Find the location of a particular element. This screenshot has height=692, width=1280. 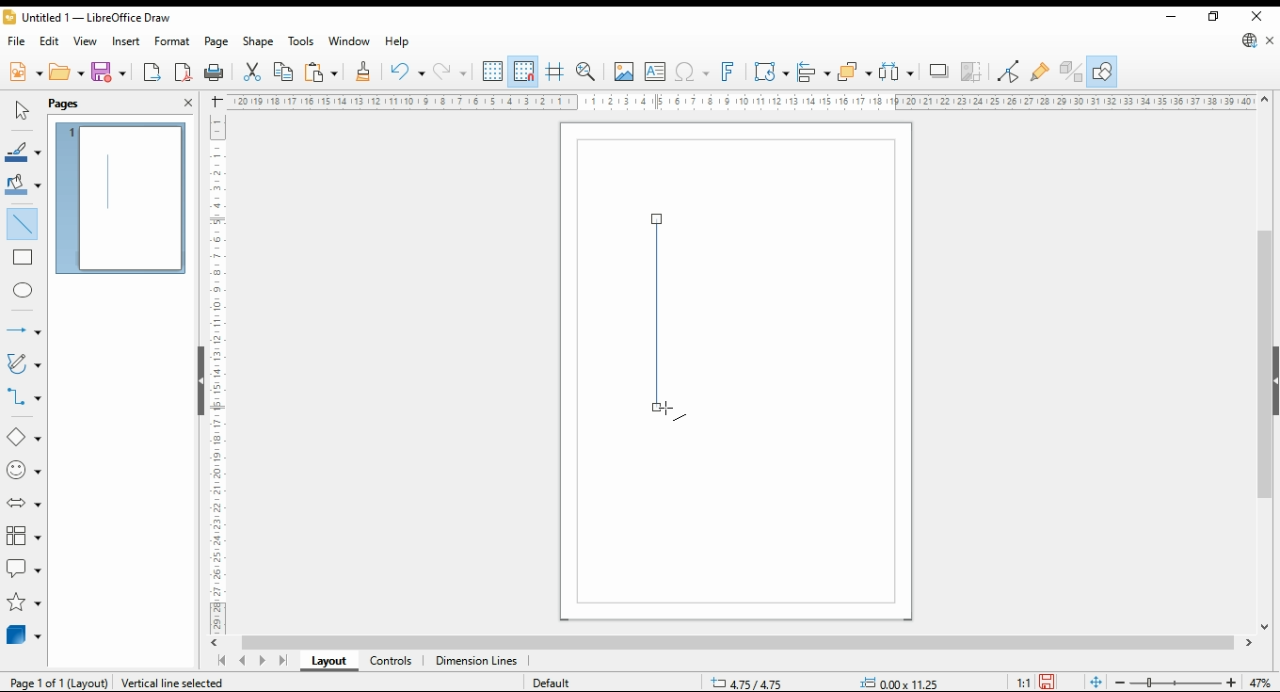

help is located at coordinates (397, 42).